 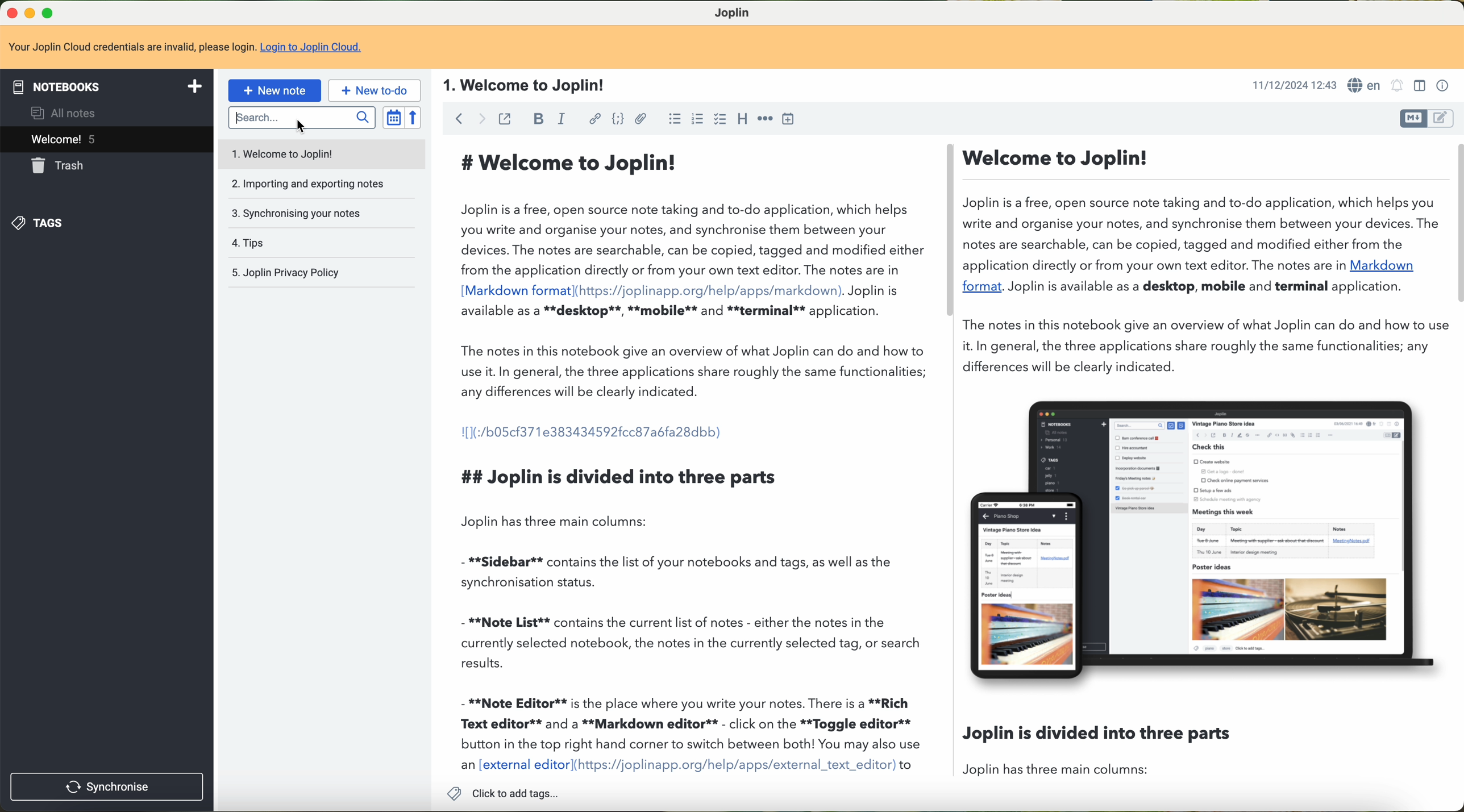 What do you see at coordinates (564, 119) in the screenshot?
I see `italic` at bounding box center [564, 119].